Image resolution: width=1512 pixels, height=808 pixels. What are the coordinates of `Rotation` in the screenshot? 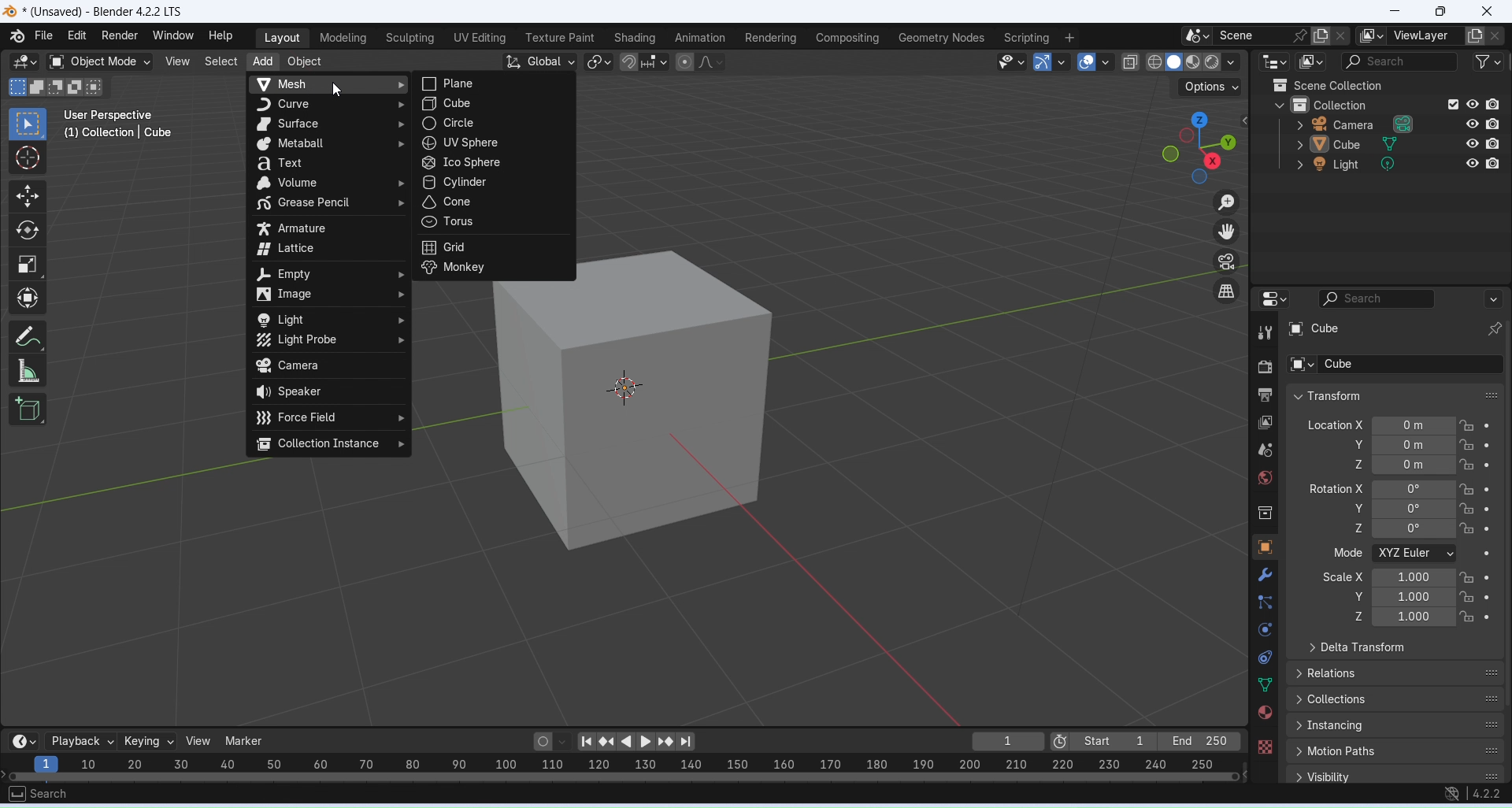 It's located at (1432, 488).